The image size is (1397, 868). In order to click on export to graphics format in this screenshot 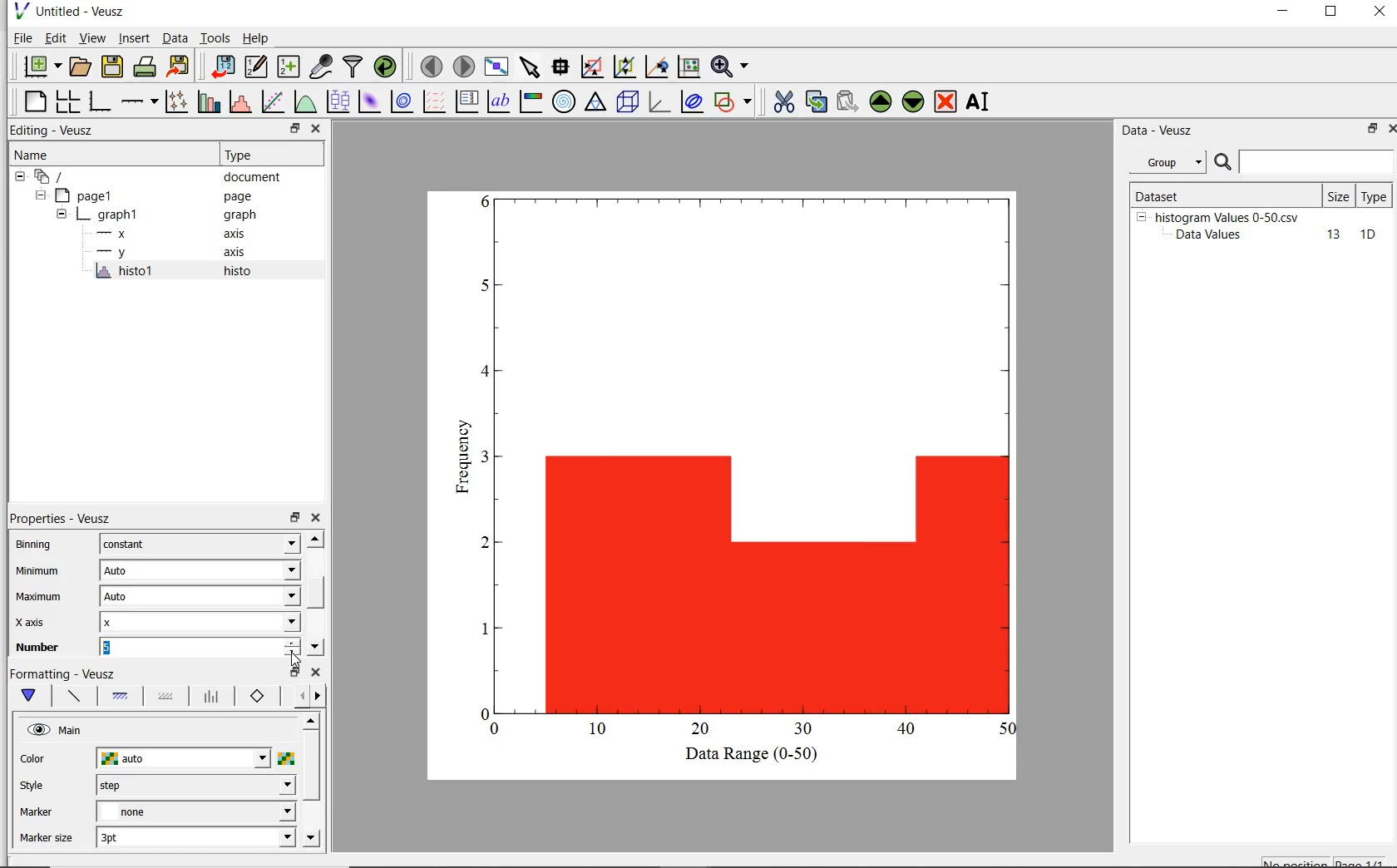, I will do `click(180, 65)`.